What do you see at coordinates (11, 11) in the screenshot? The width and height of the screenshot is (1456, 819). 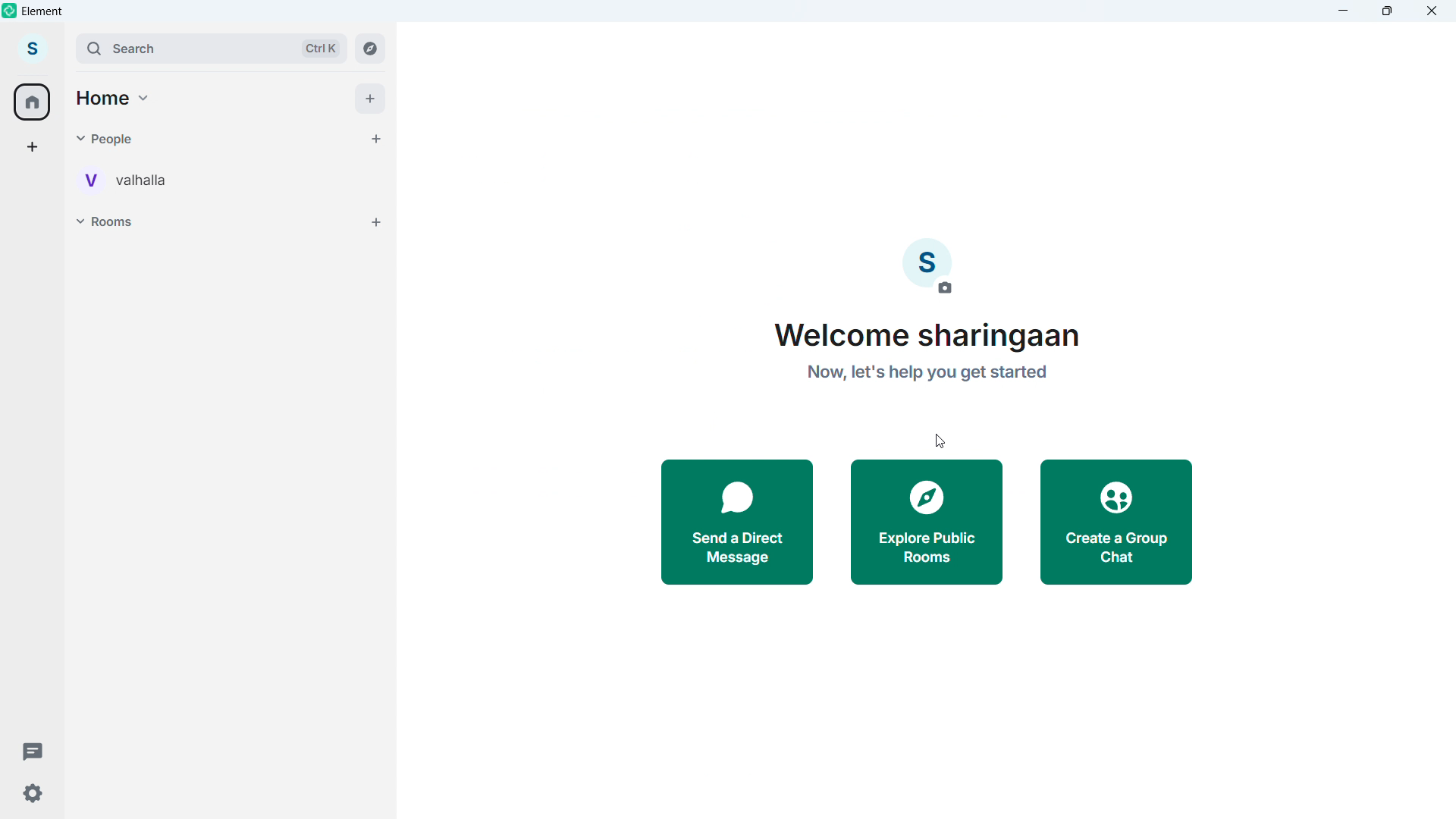 I see `element logo` at bounding box center [11, 11].